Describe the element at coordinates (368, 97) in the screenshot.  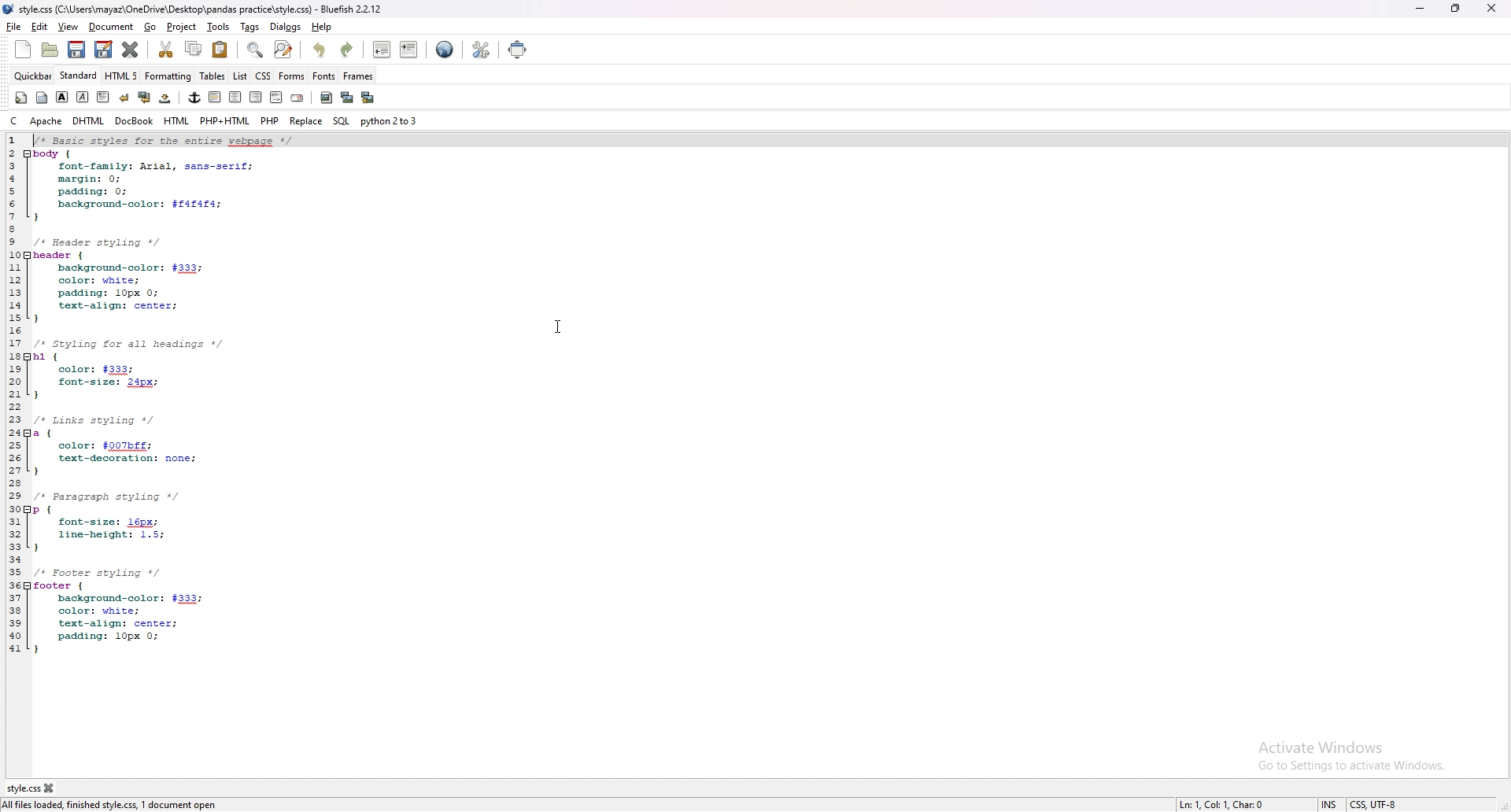
I see `multi thumbnail` at that location.